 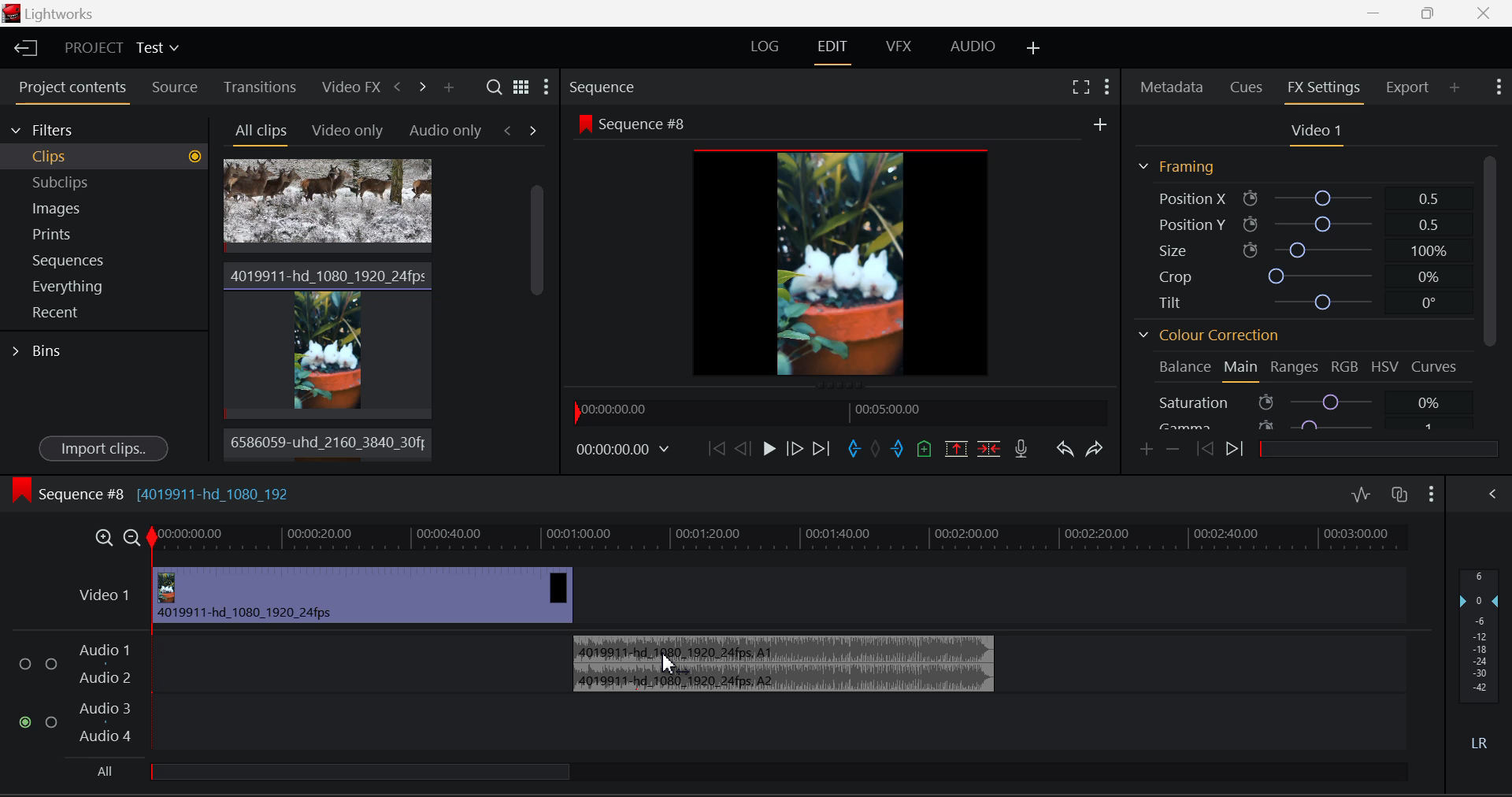 I want to click on Redo, so click(x=1097, y=449).